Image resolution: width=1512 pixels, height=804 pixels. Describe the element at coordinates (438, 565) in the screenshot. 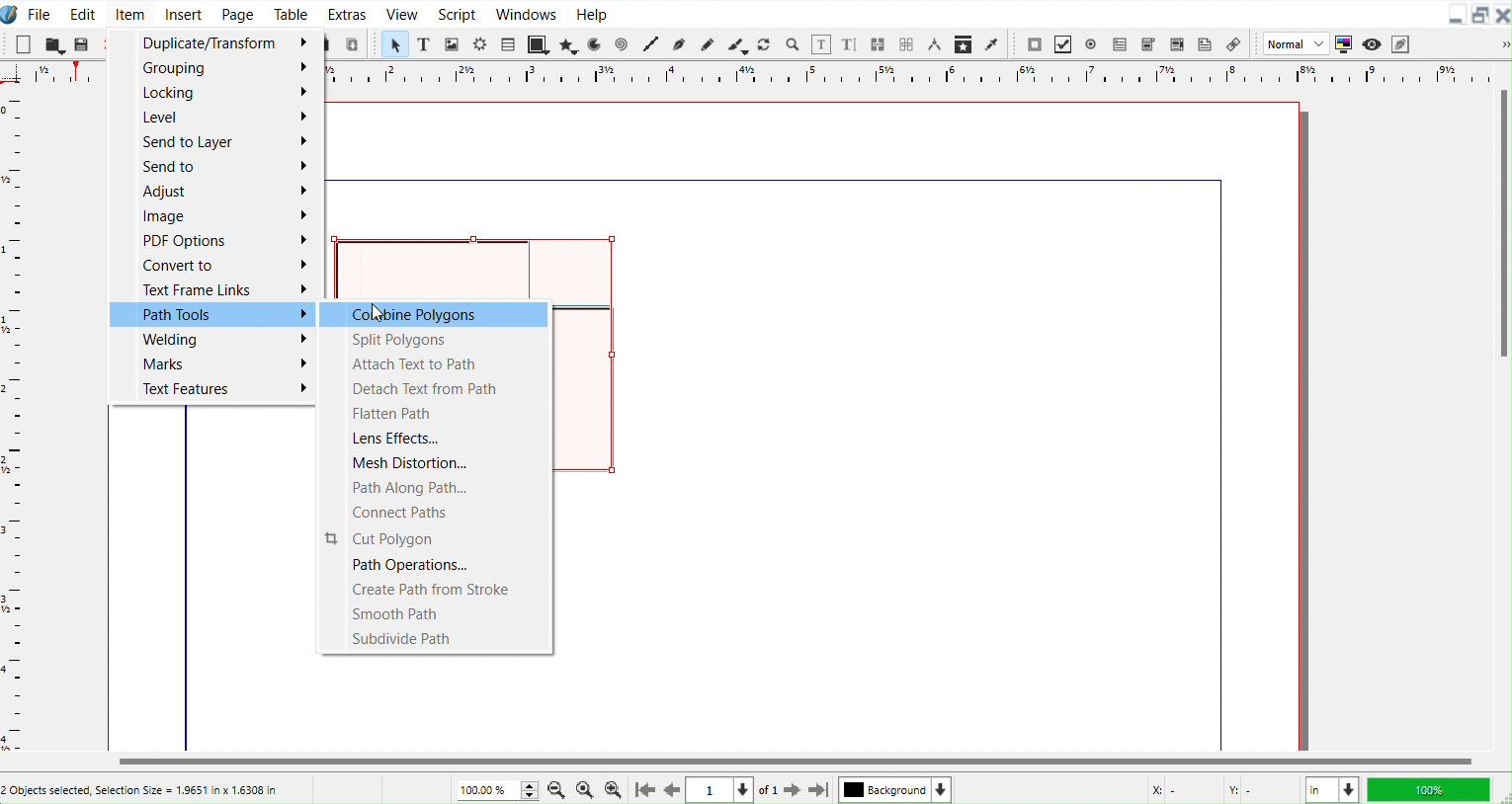

I see `Path Operations` at that location.